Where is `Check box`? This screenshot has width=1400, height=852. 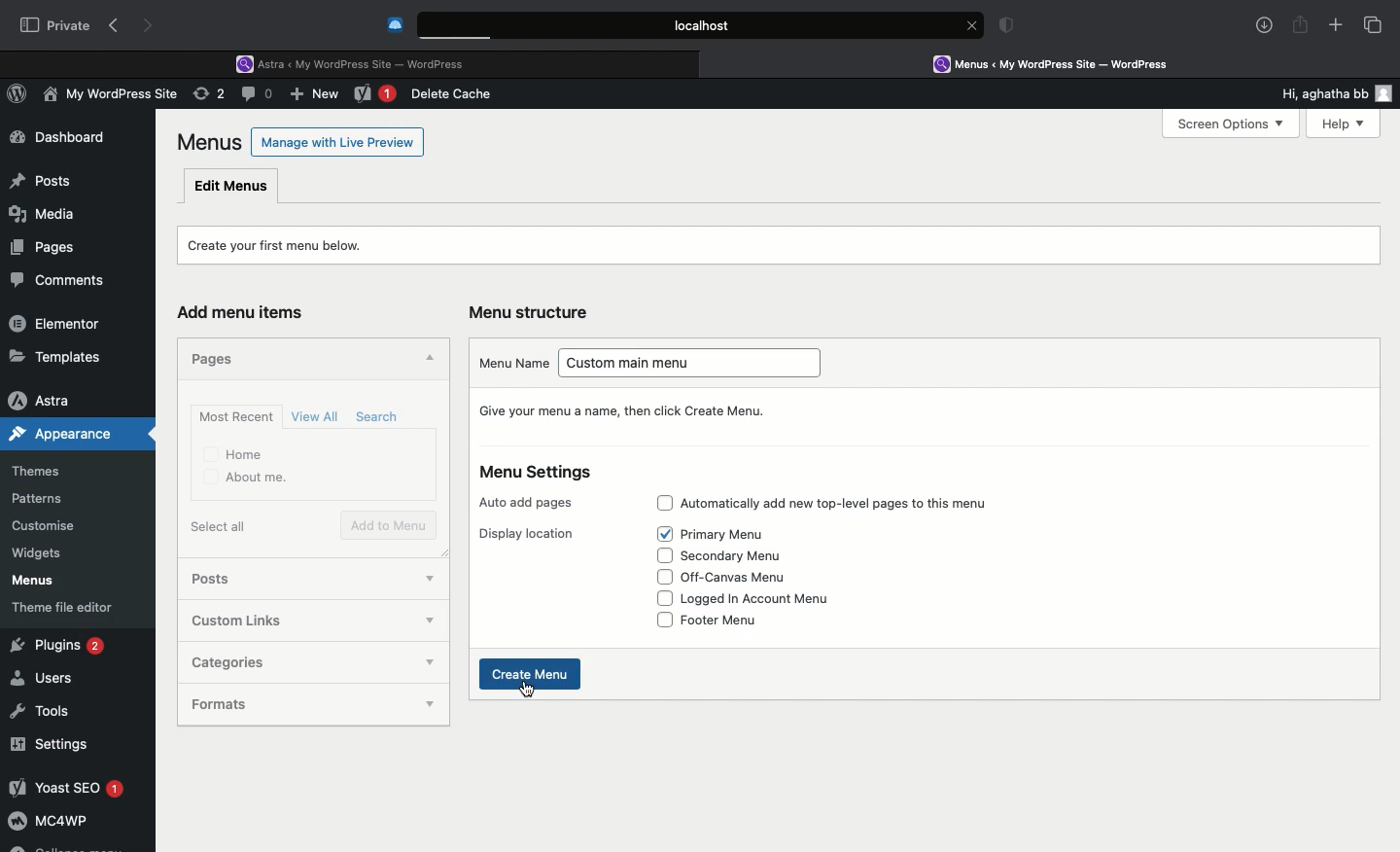
Check box is located at coordinates (664, 534).